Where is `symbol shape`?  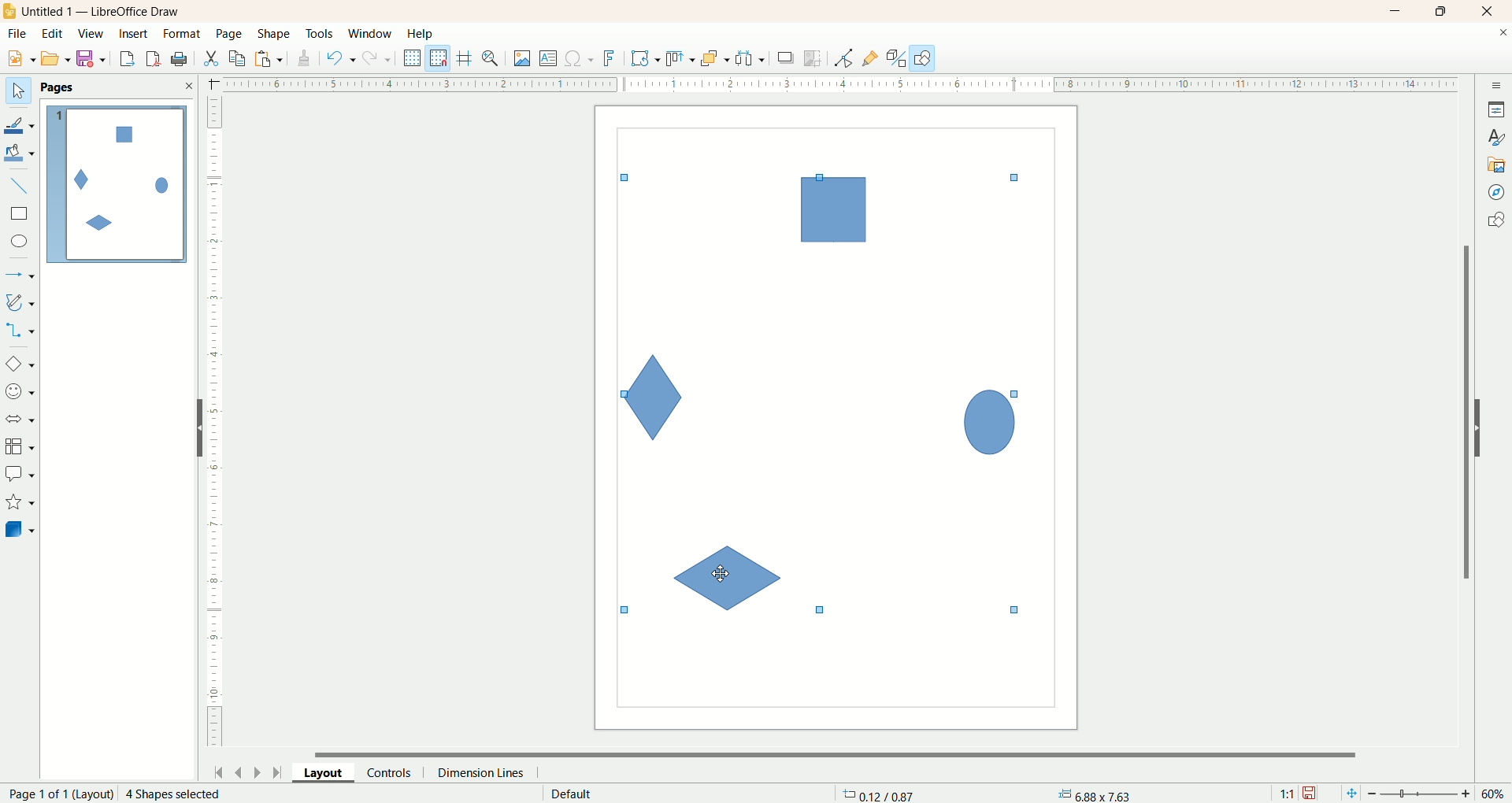
symbol shape is located at coordinates (22, 393).